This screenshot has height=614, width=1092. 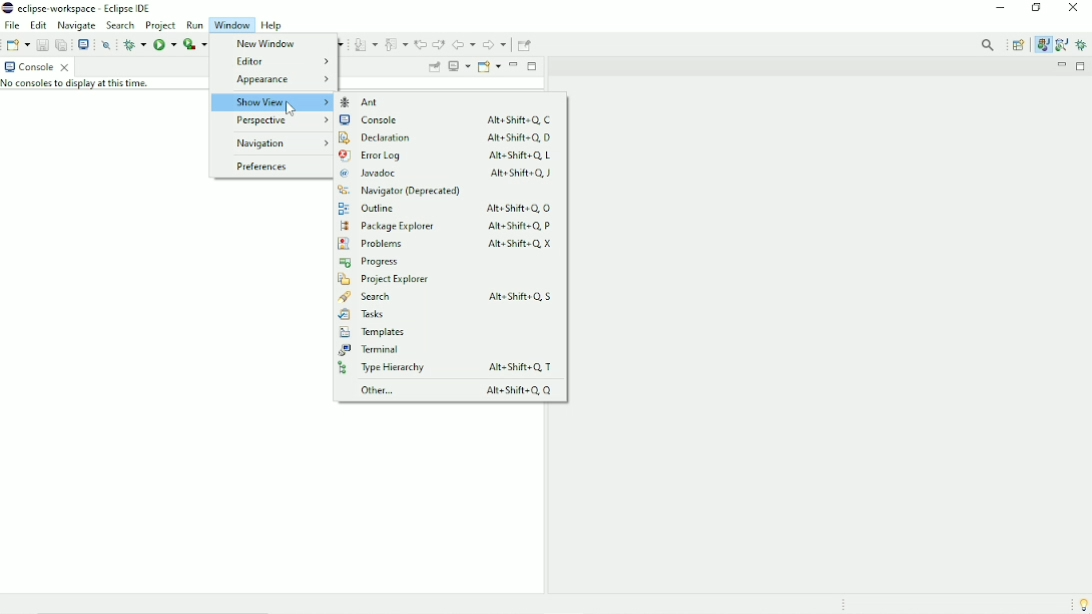 I want to click on Run, so click(x=164, y=44).